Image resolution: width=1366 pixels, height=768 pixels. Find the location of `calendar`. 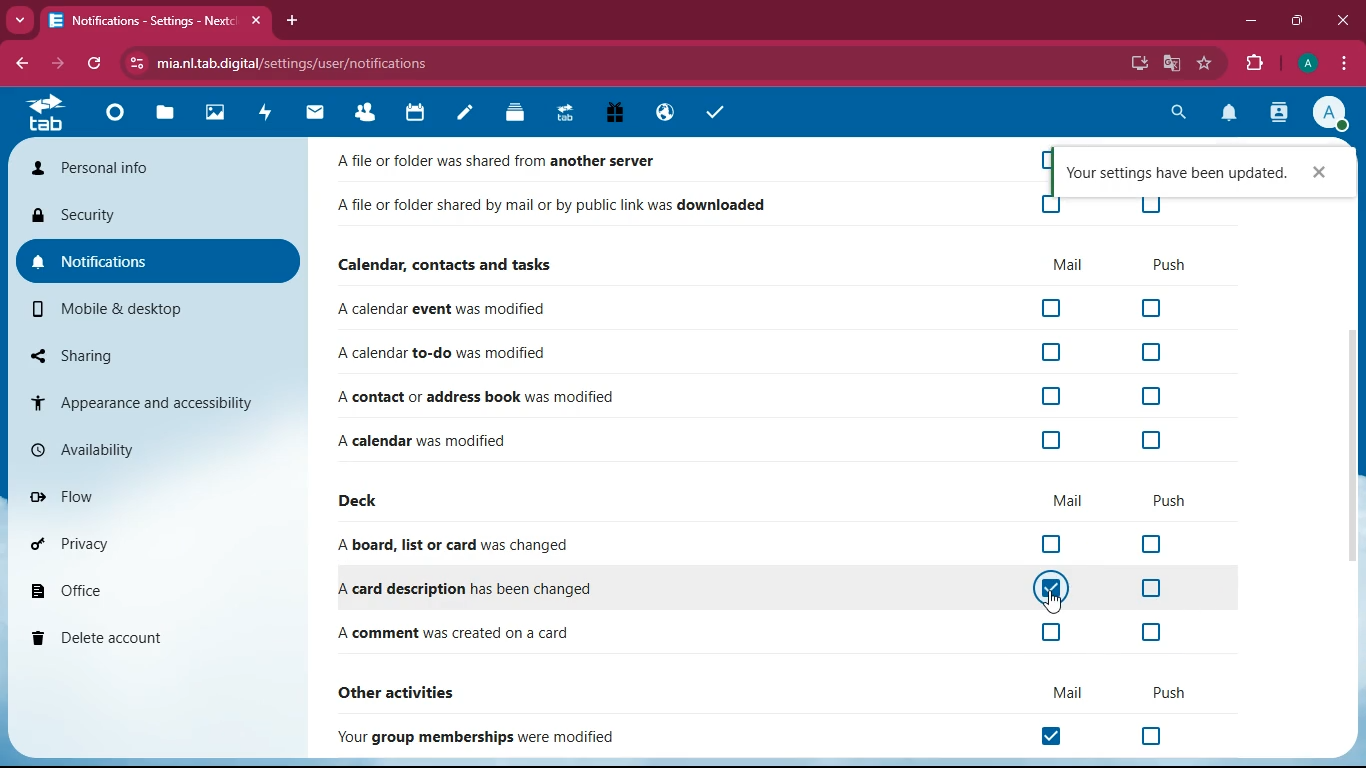

calendar is located at coordinates (415, 114).